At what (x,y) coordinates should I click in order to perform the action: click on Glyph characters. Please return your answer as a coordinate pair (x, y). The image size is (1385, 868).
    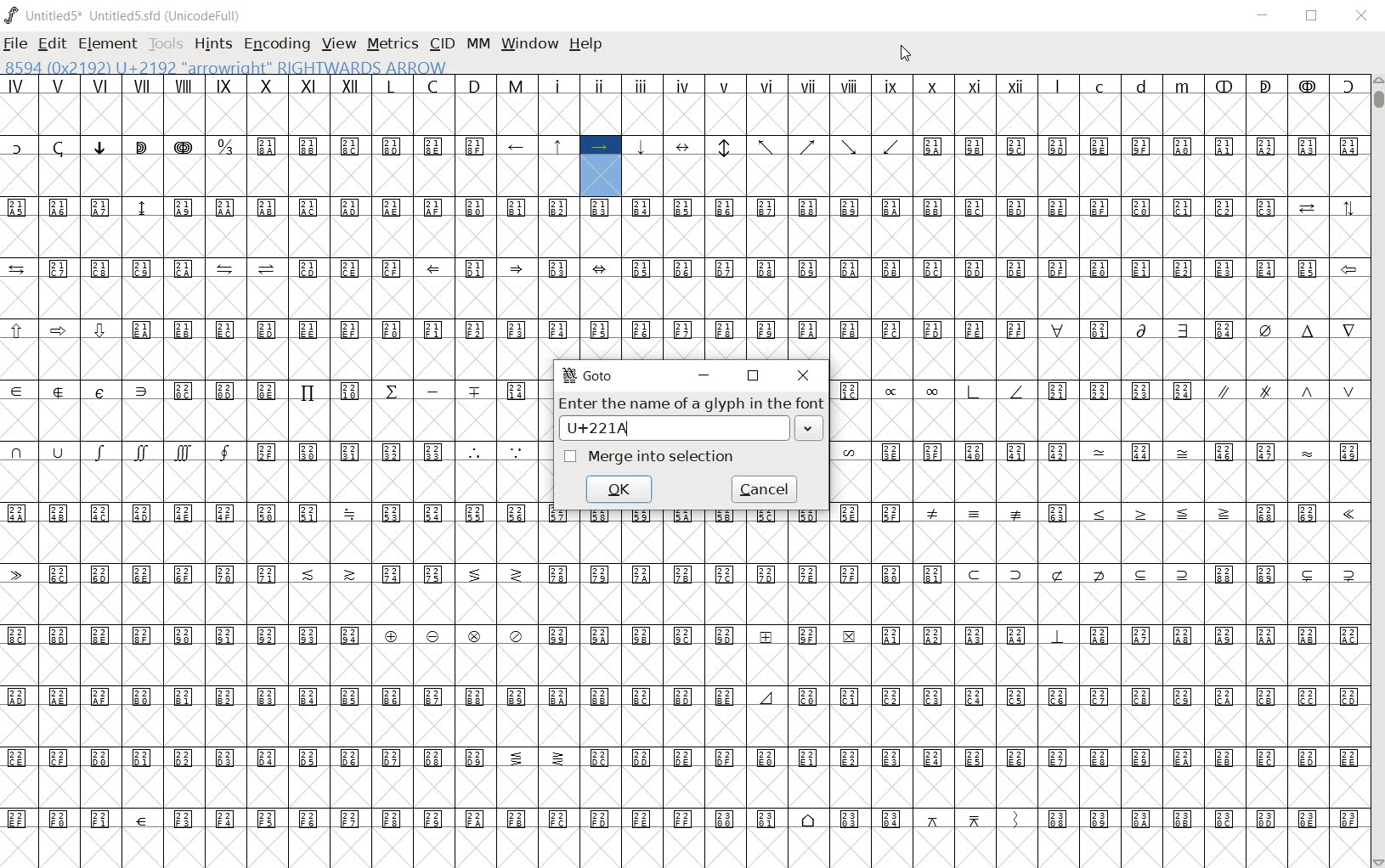
    Looking at the image, I should click on (956, 197).